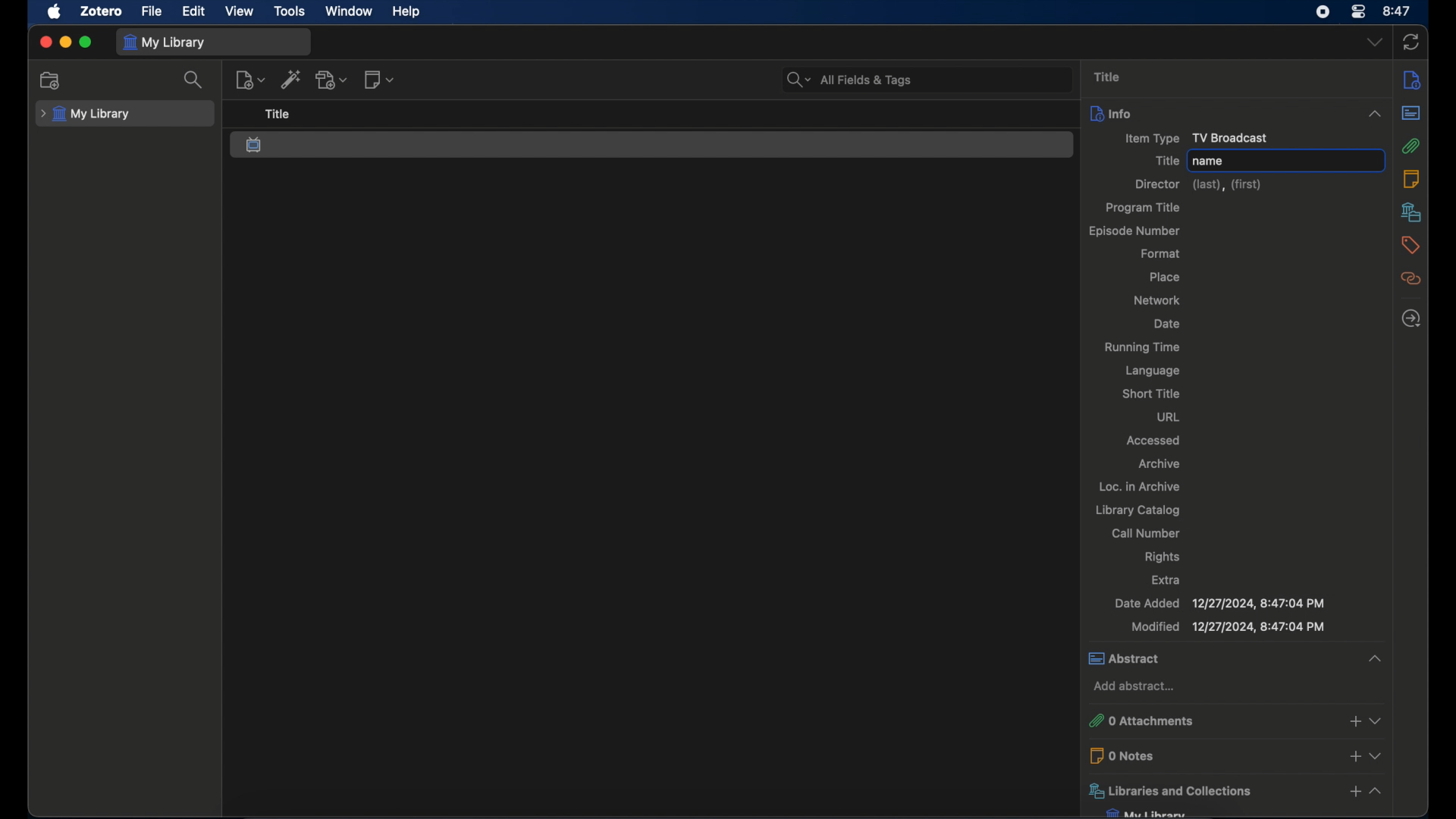  I want to click on new collection, so click(49, 80).